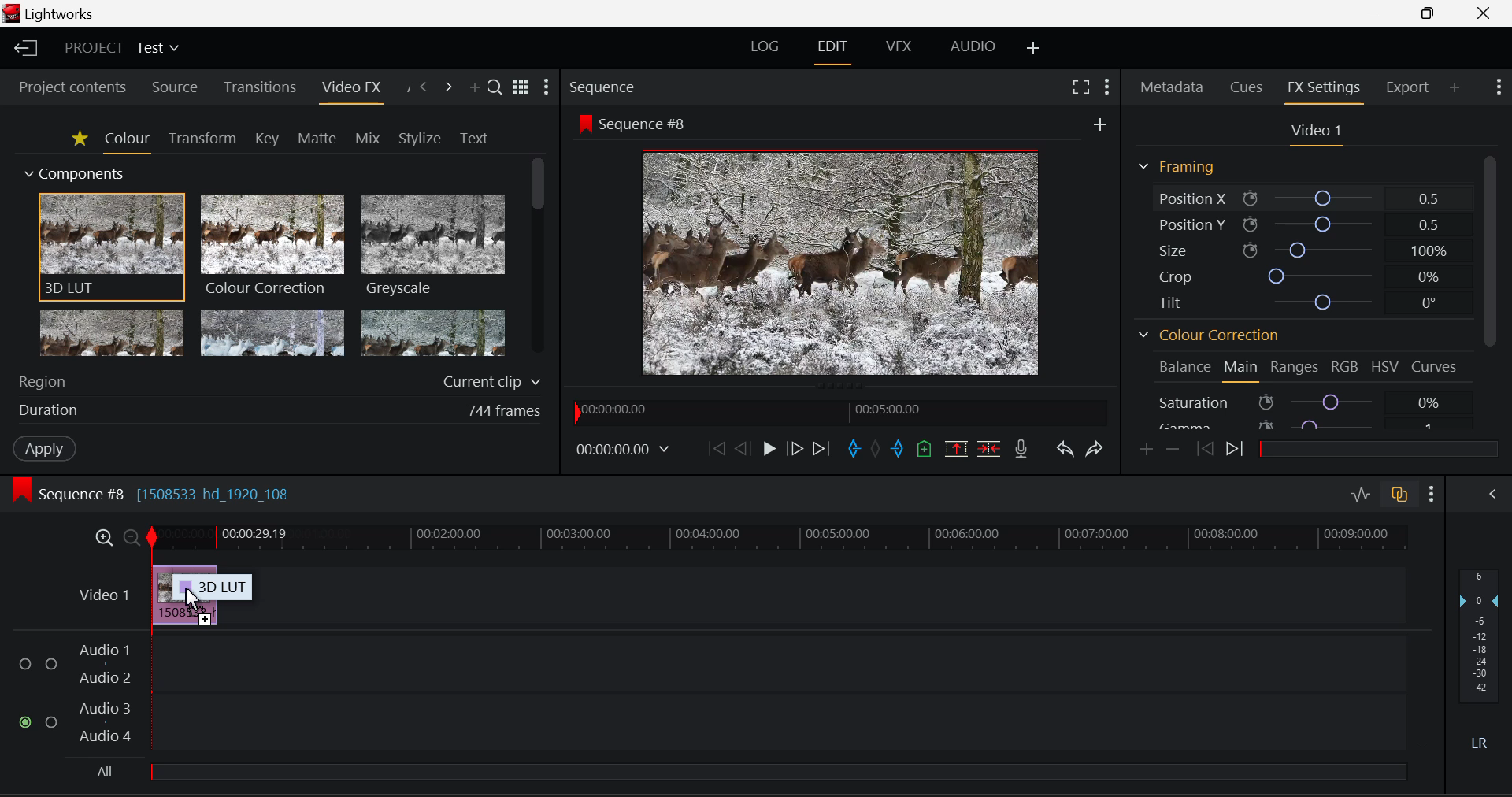 Image resolution: width=1512 pixels, height=797 pixels. What do you see at coordinates (1308, 222) in the screenshot?
I see `Position Y` at bounding box center [1308, 222].